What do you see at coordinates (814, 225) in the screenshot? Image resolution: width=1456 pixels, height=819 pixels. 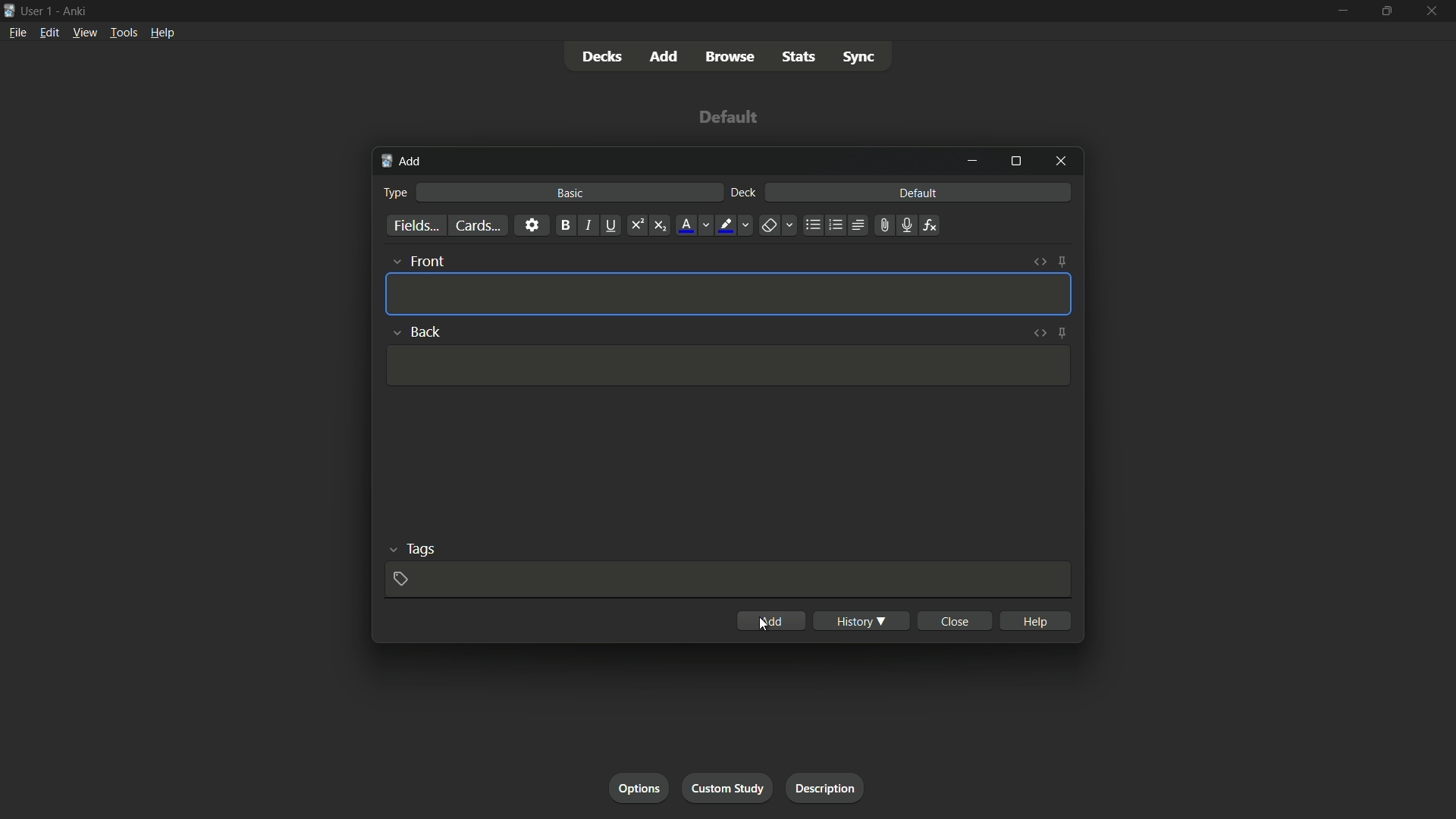 I see `unordered list` at bounding box center [814, 225].